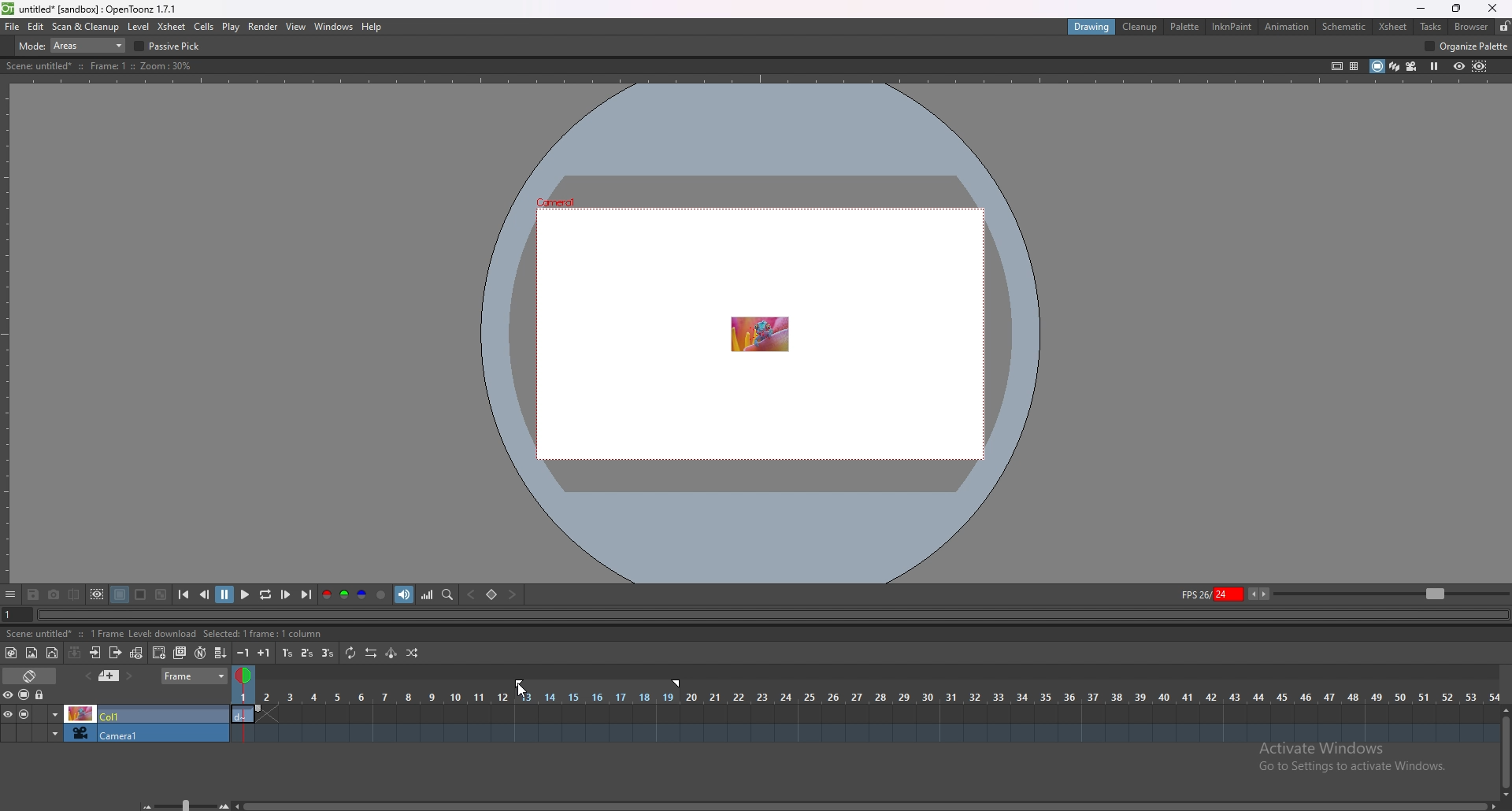 The width and height of the screenshot is (1512, 811). What do you see at coordinates (1287, 28) in the screenshot?
I see `animation` at bounding box center [1287, 28].